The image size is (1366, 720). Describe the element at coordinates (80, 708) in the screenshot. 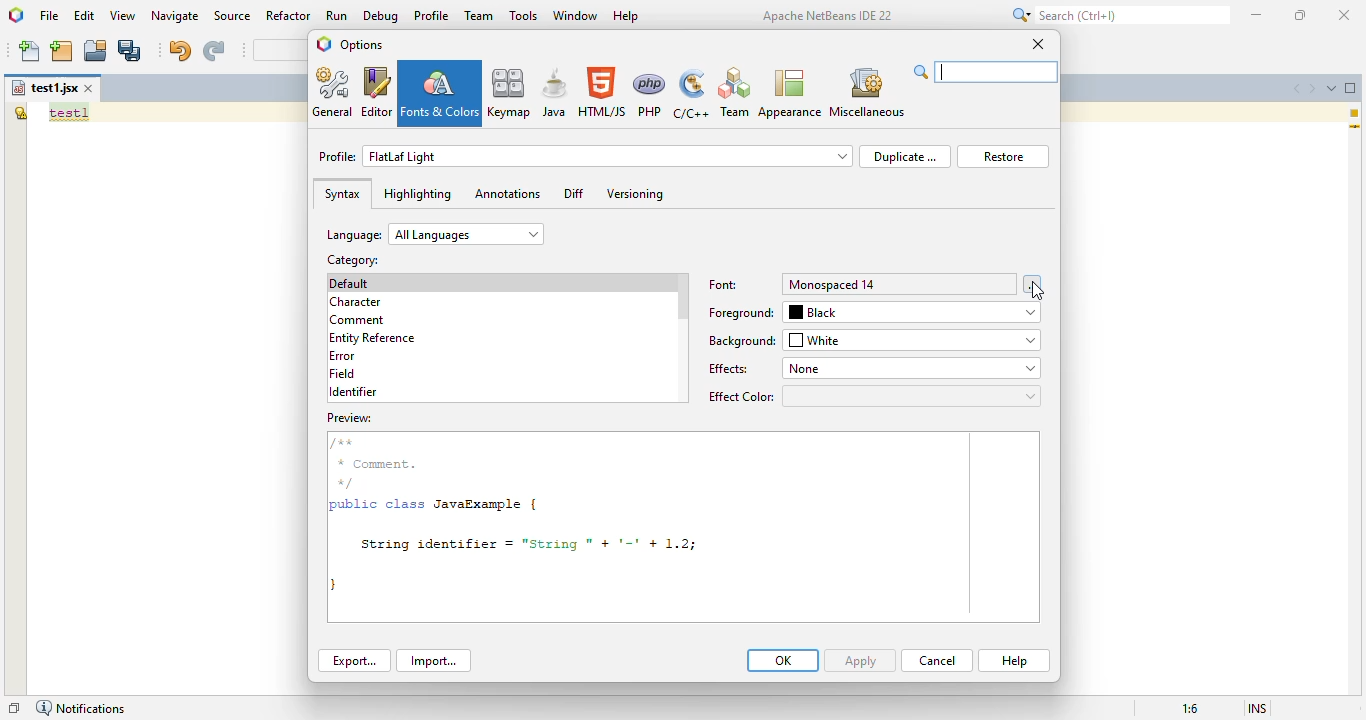

I see `notifications` at that location.